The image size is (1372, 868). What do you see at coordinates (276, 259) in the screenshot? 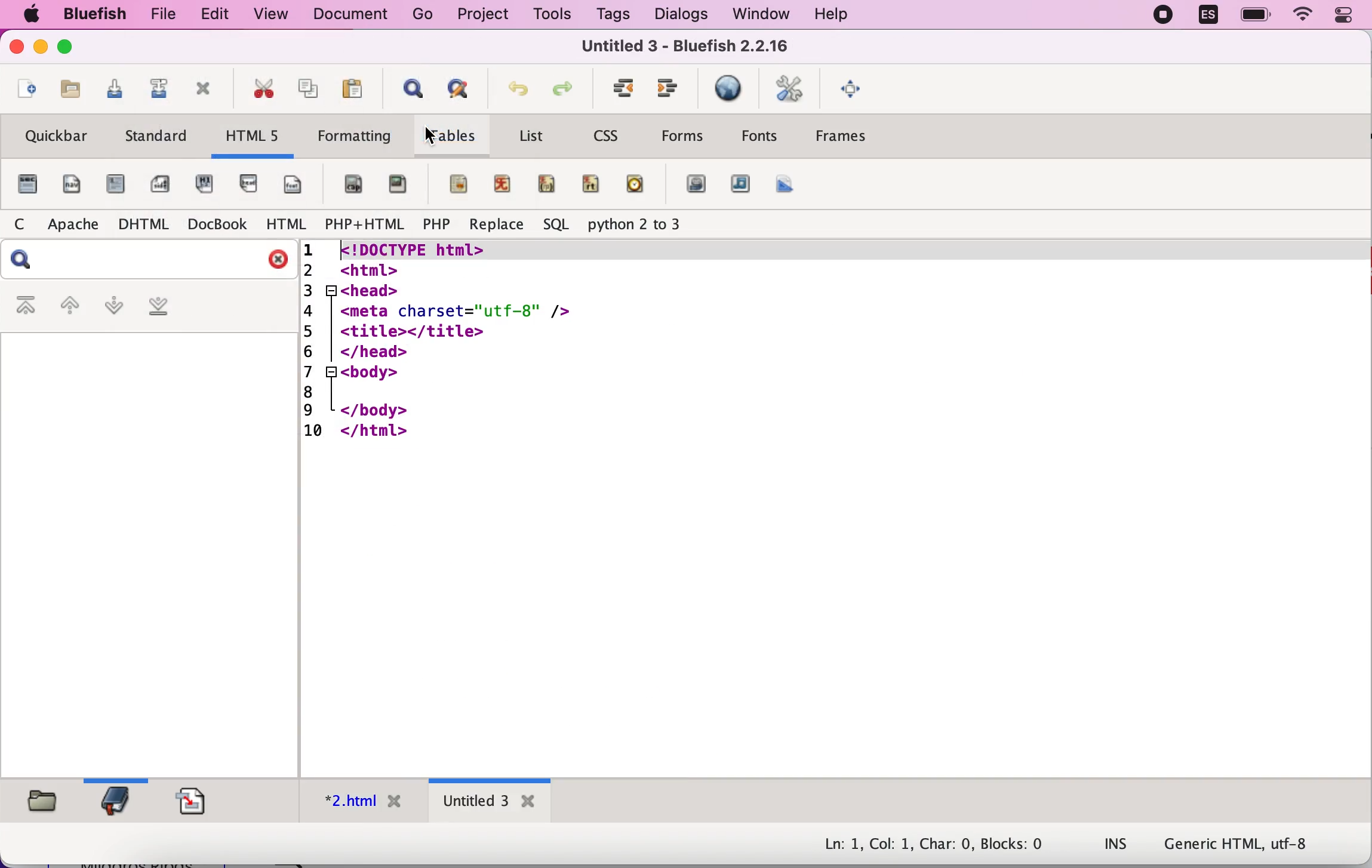
I see `close` at bounding box center [276, 259].